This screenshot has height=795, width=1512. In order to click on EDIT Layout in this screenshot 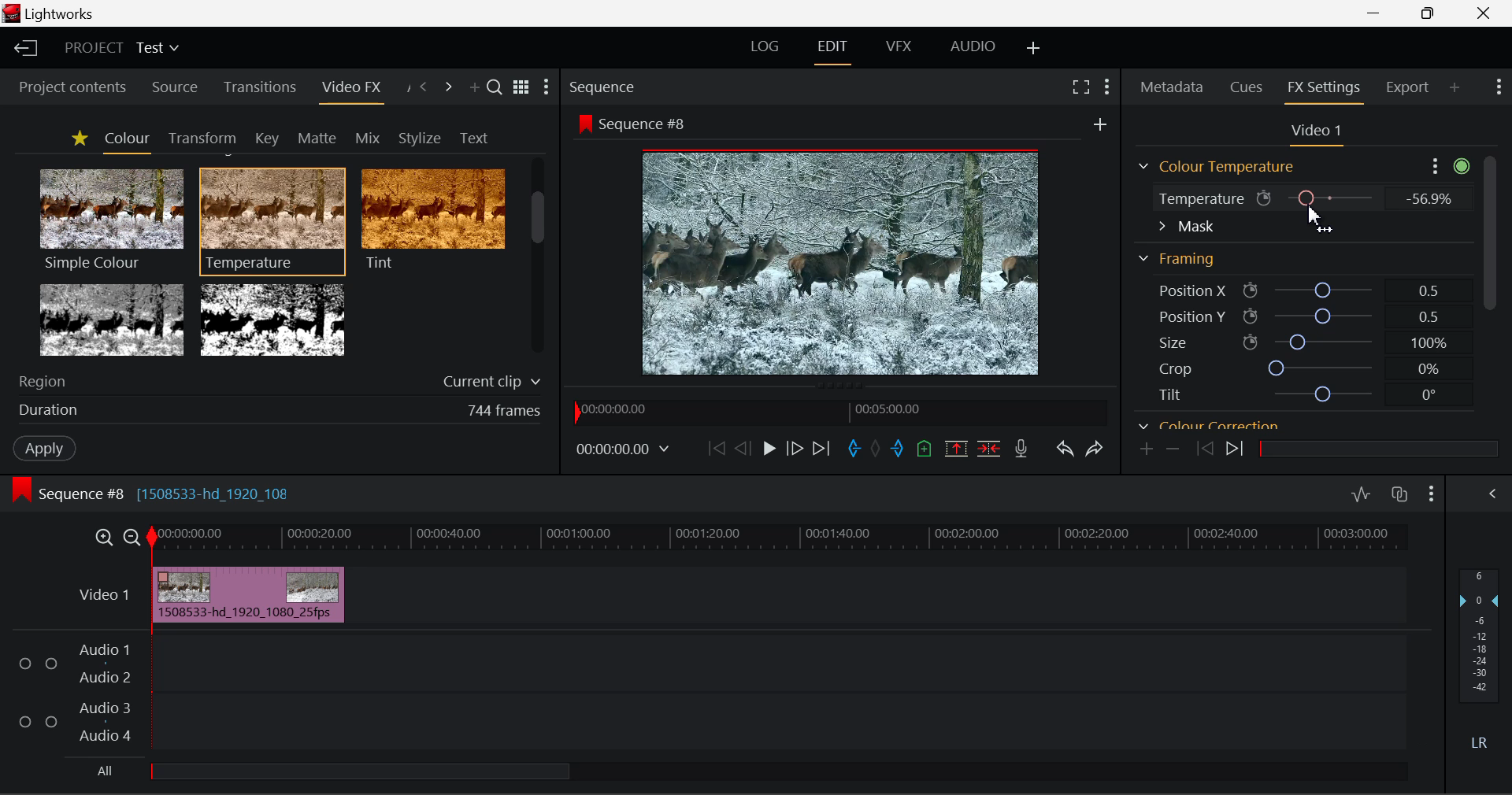, I will do `click(832, 51)`.